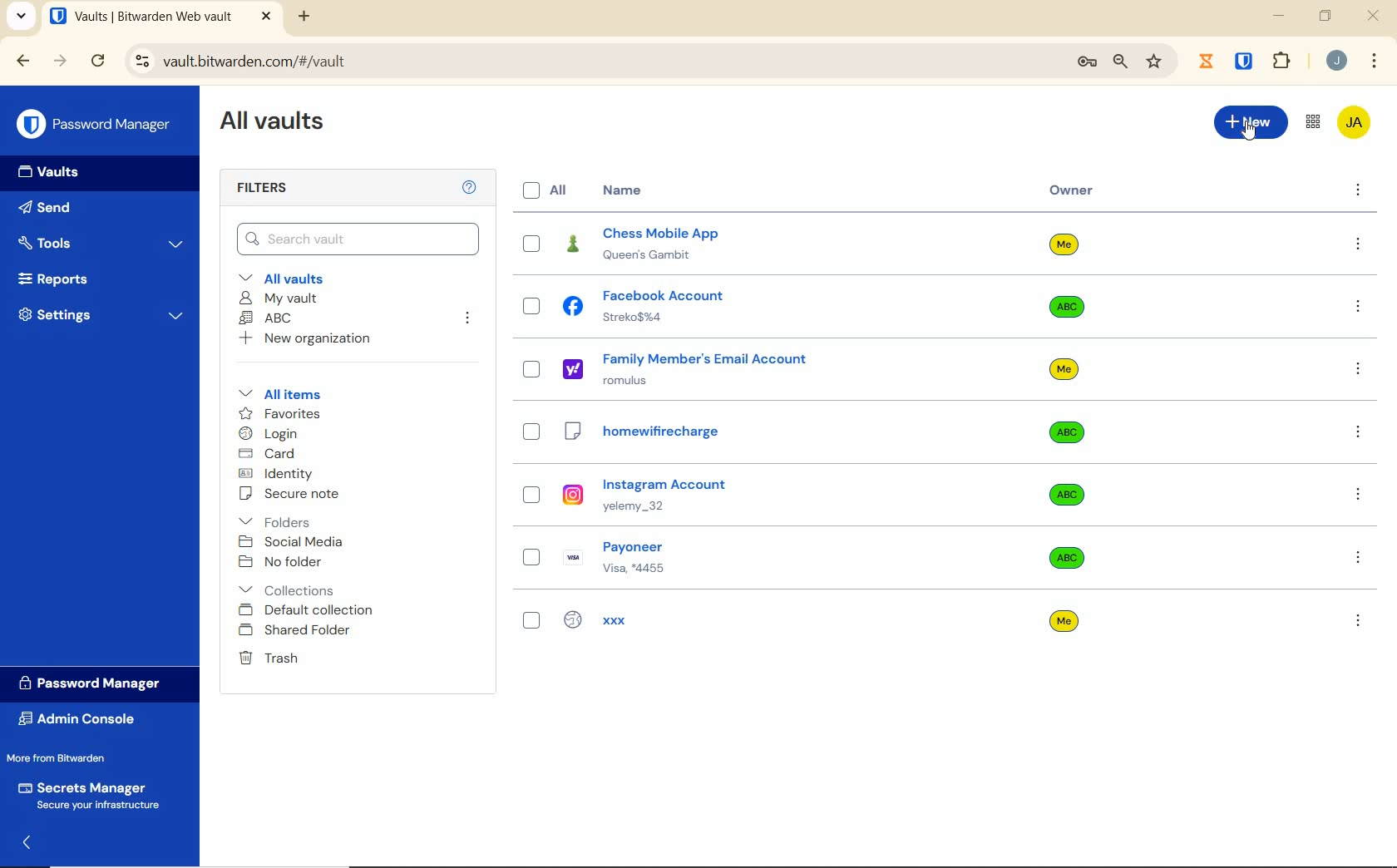  I want to click on My Vault, so click(280, 298).